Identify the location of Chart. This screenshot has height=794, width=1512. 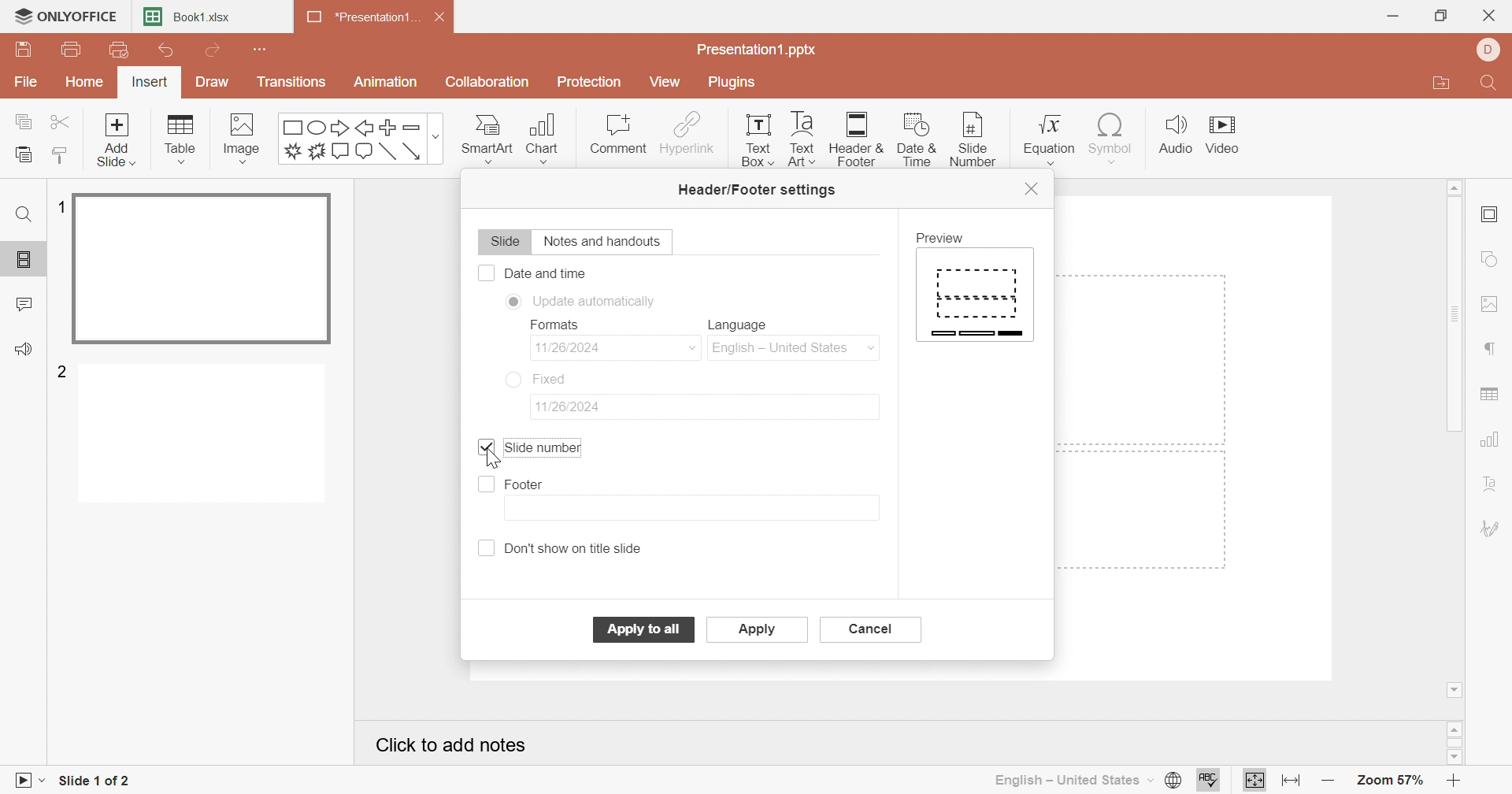
(549, 139).